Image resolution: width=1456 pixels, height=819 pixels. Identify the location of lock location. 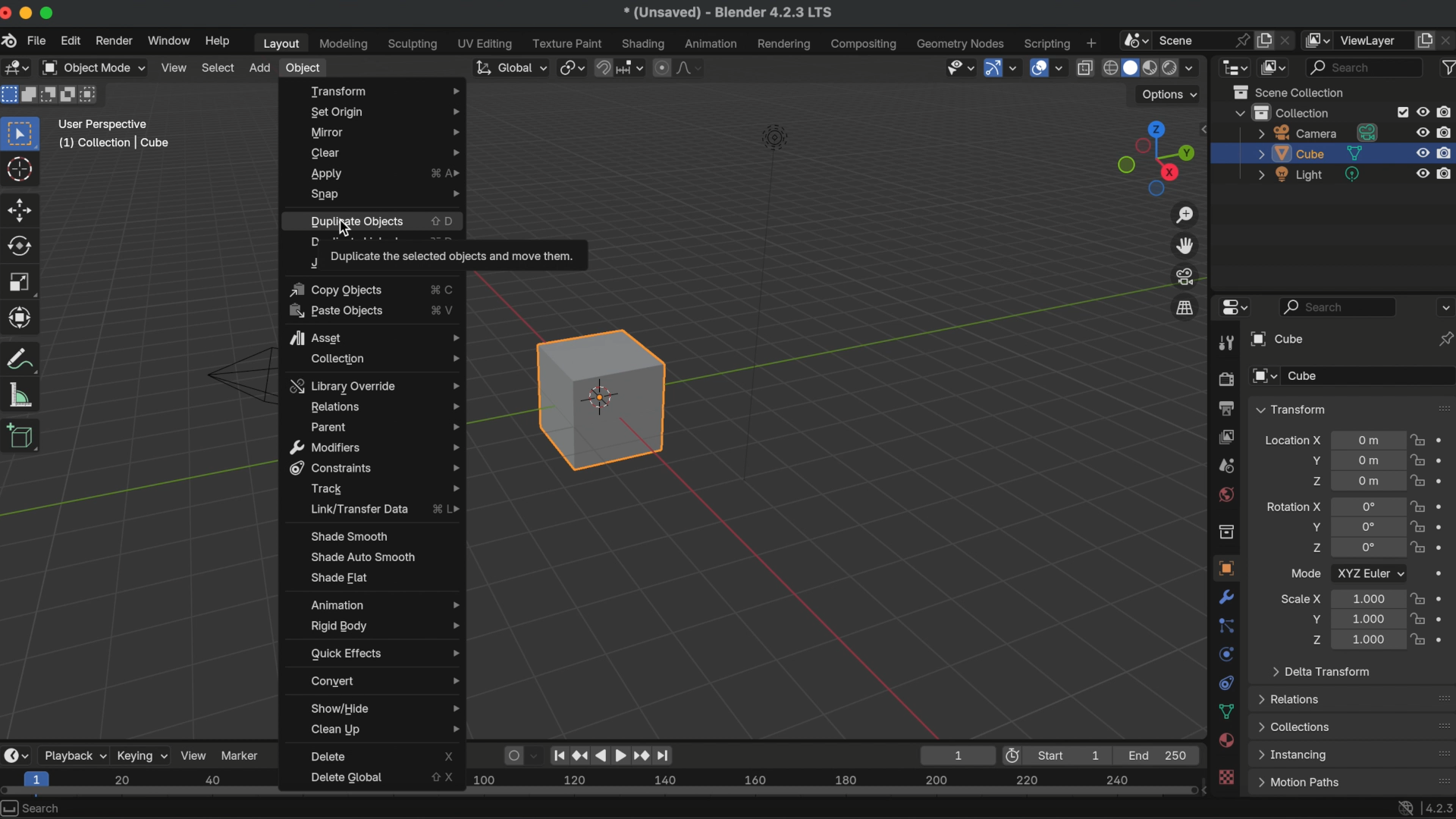
(1418, 460).